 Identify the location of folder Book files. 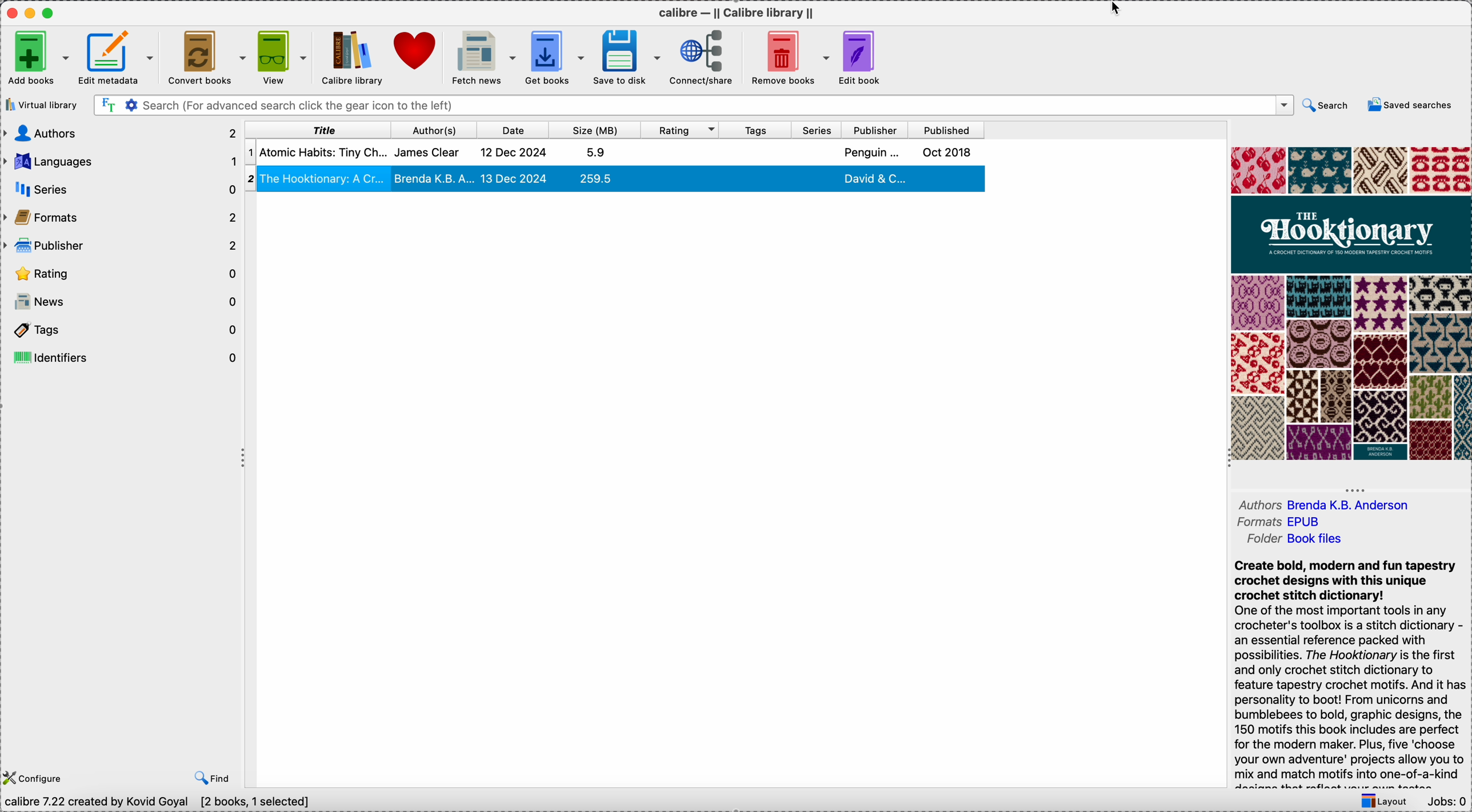
(1300, 539).